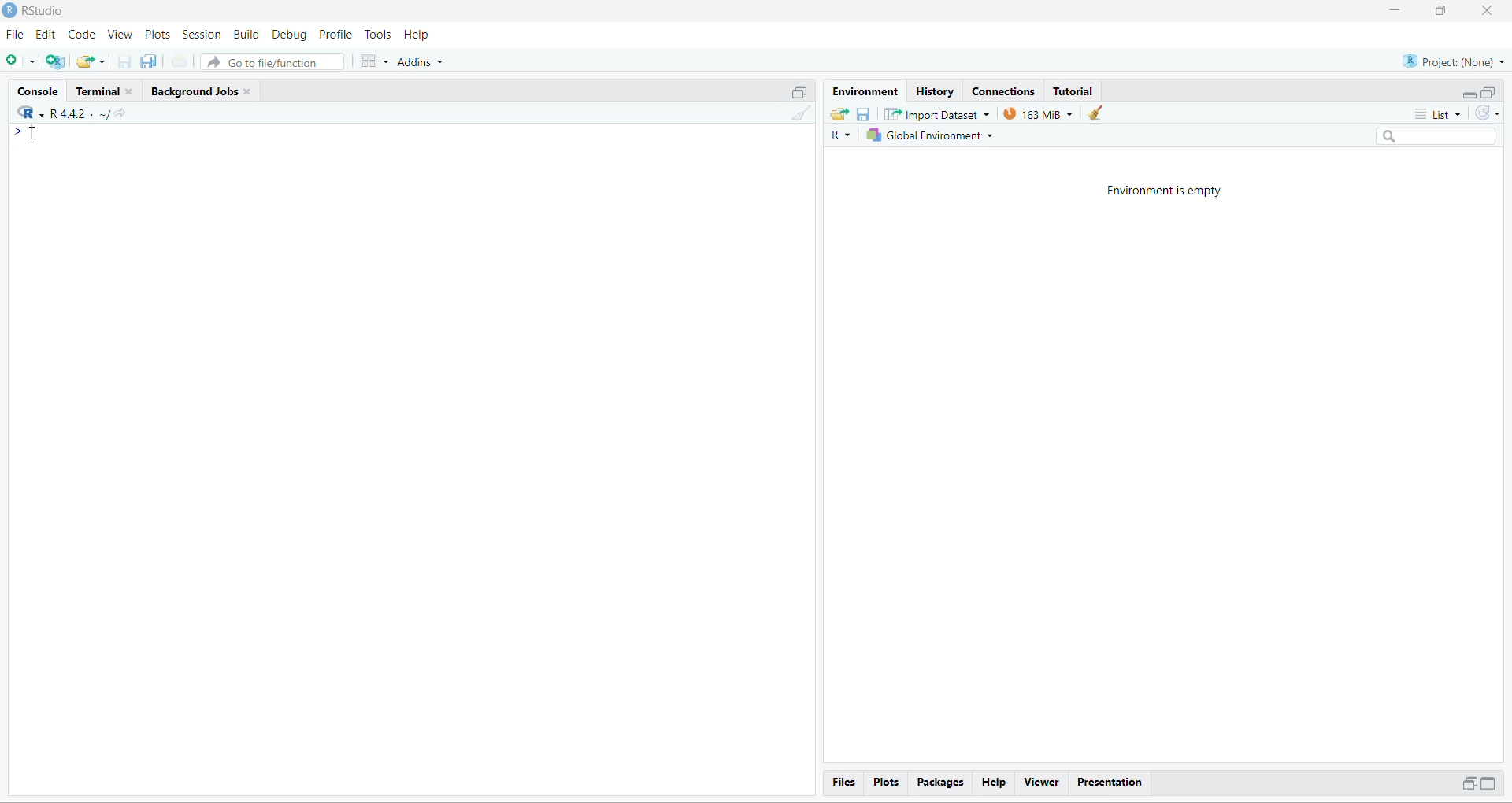 The height and width of the screenshot is (803, 1512). I want to click on 163 MB, so click(1038, 114).